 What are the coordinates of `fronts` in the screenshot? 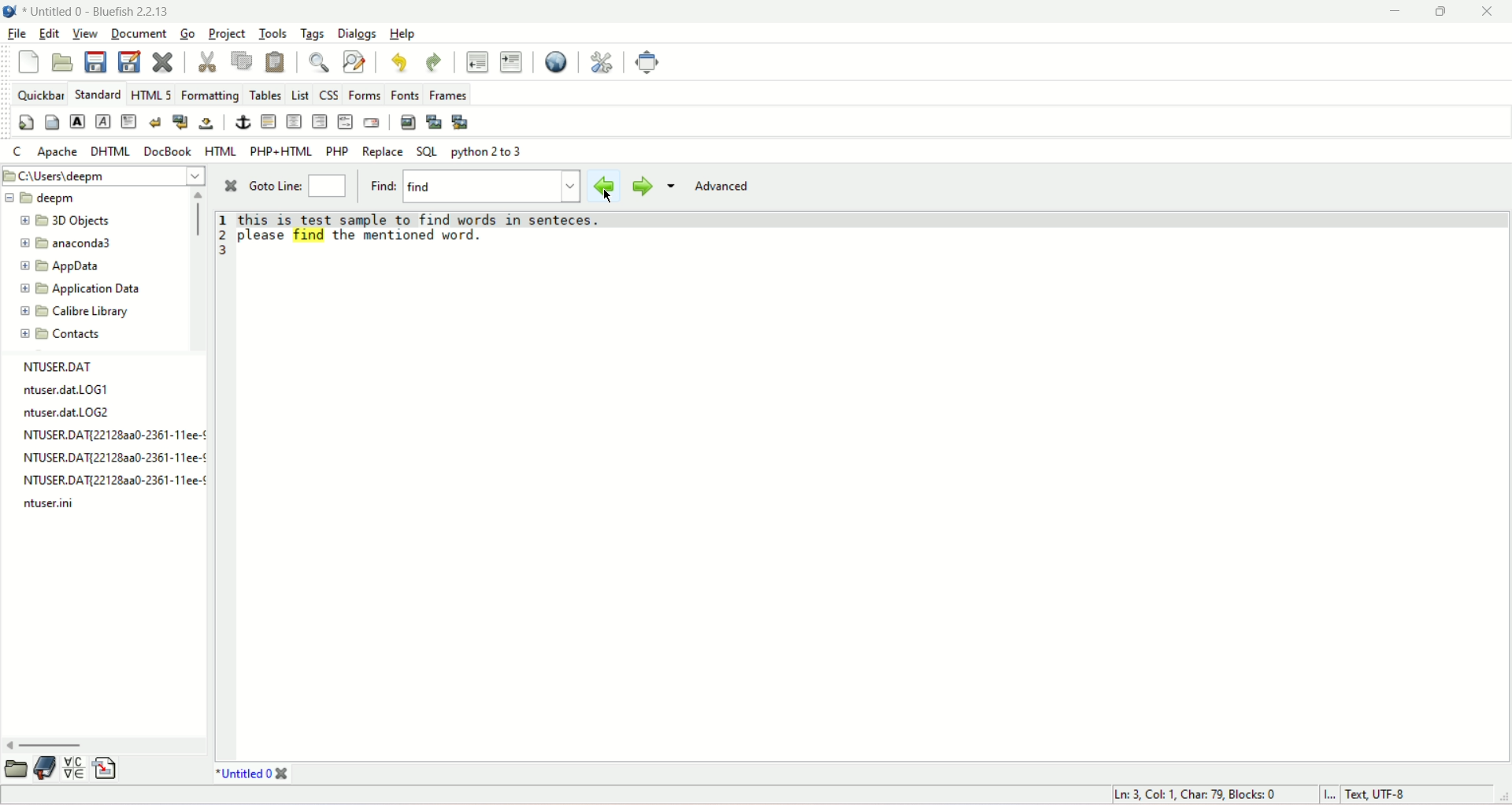 It's located at (407, 94).